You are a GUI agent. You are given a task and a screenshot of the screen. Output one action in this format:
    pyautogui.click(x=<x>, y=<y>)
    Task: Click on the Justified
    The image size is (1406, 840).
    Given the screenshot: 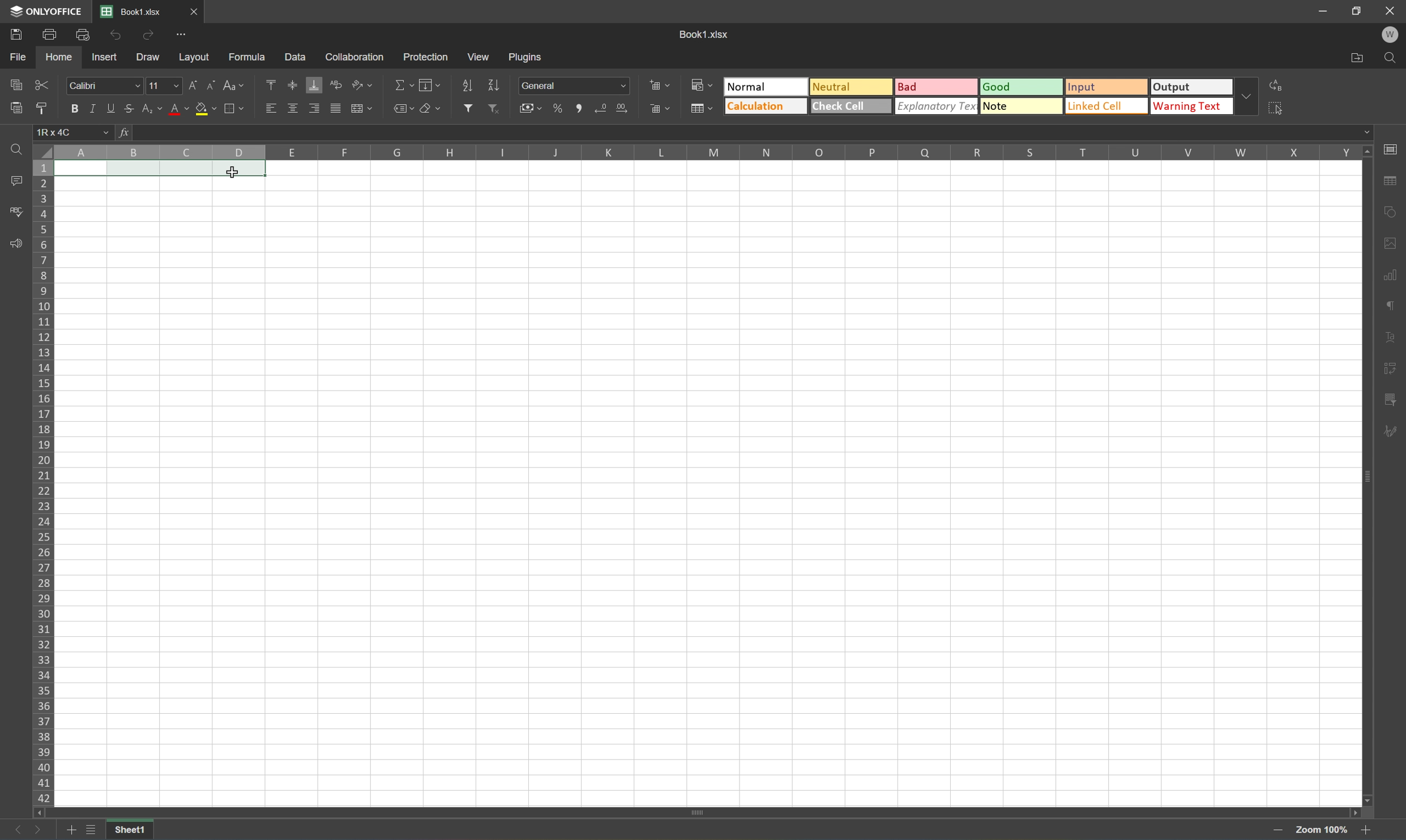 What is the action you would take?
    pyautogui.click(x=336, y=109)
    